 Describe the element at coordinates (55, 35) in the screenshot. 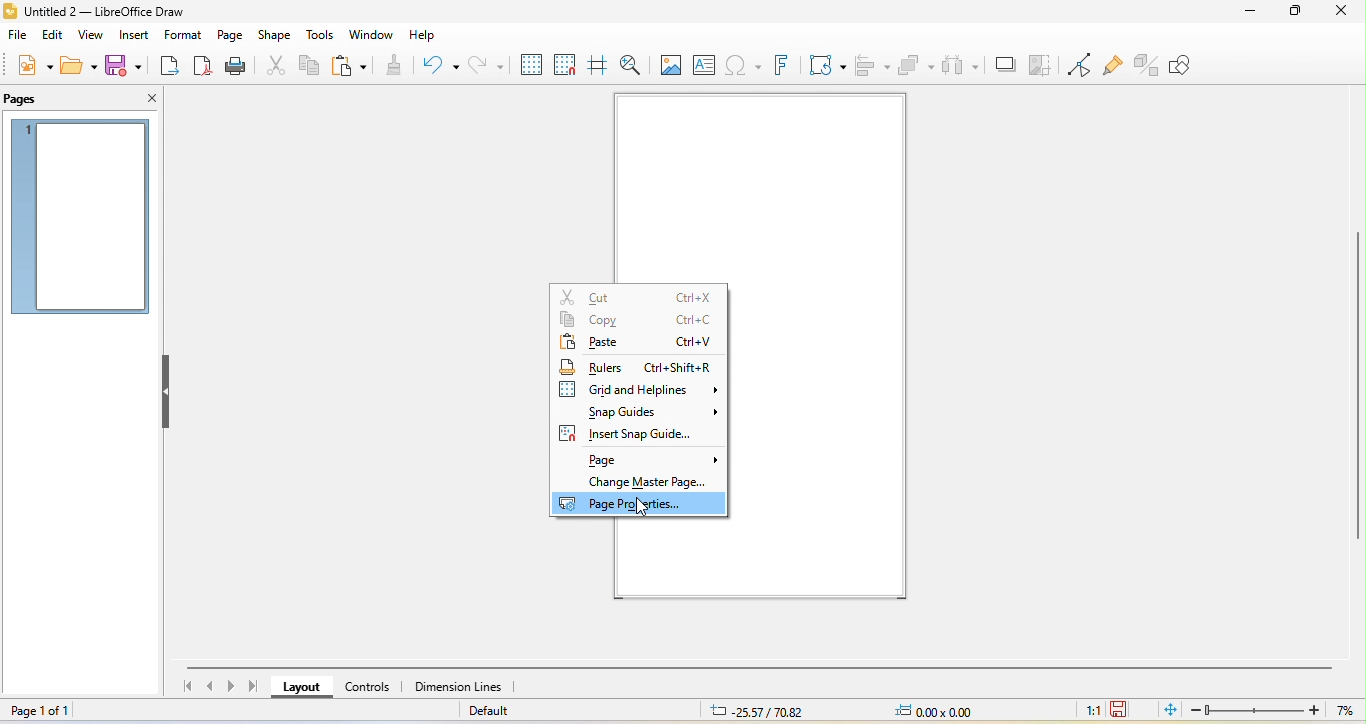

I see `edit` at that location.